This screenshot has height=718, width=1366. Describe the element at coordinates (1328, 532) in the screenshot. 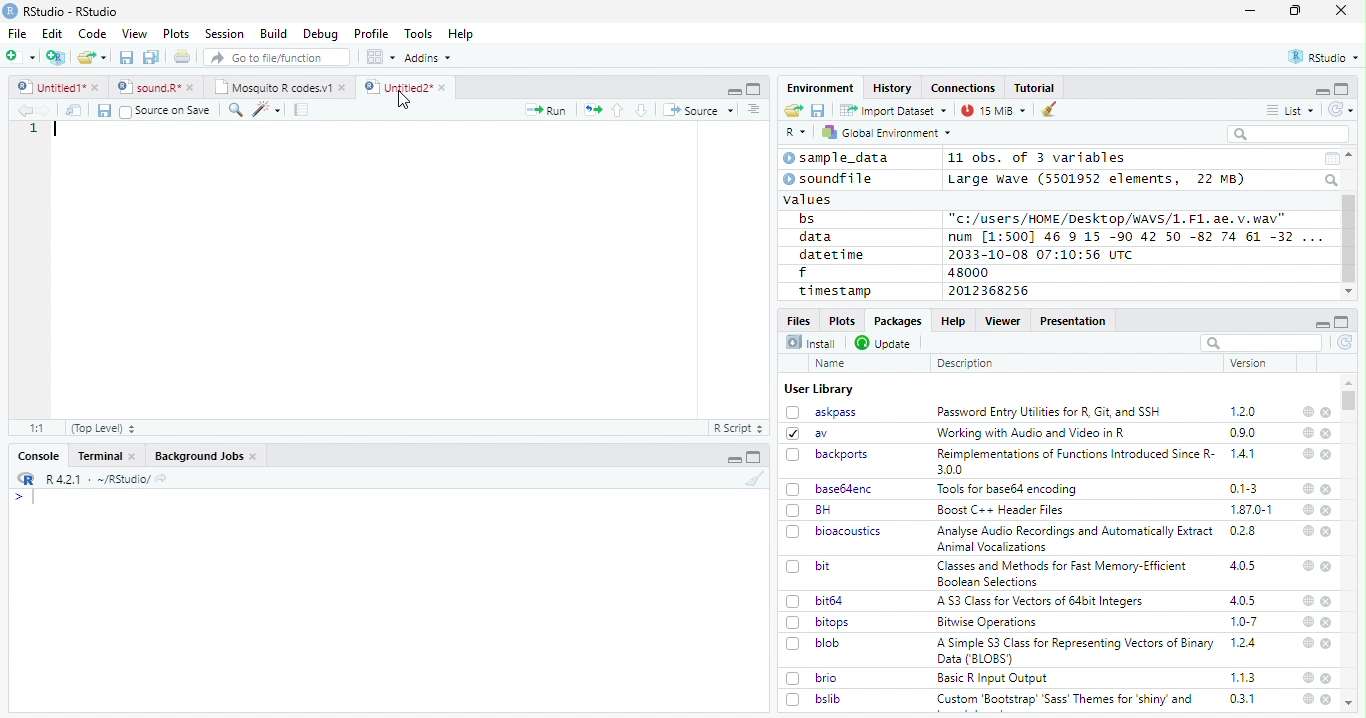

I see `close` at that location.